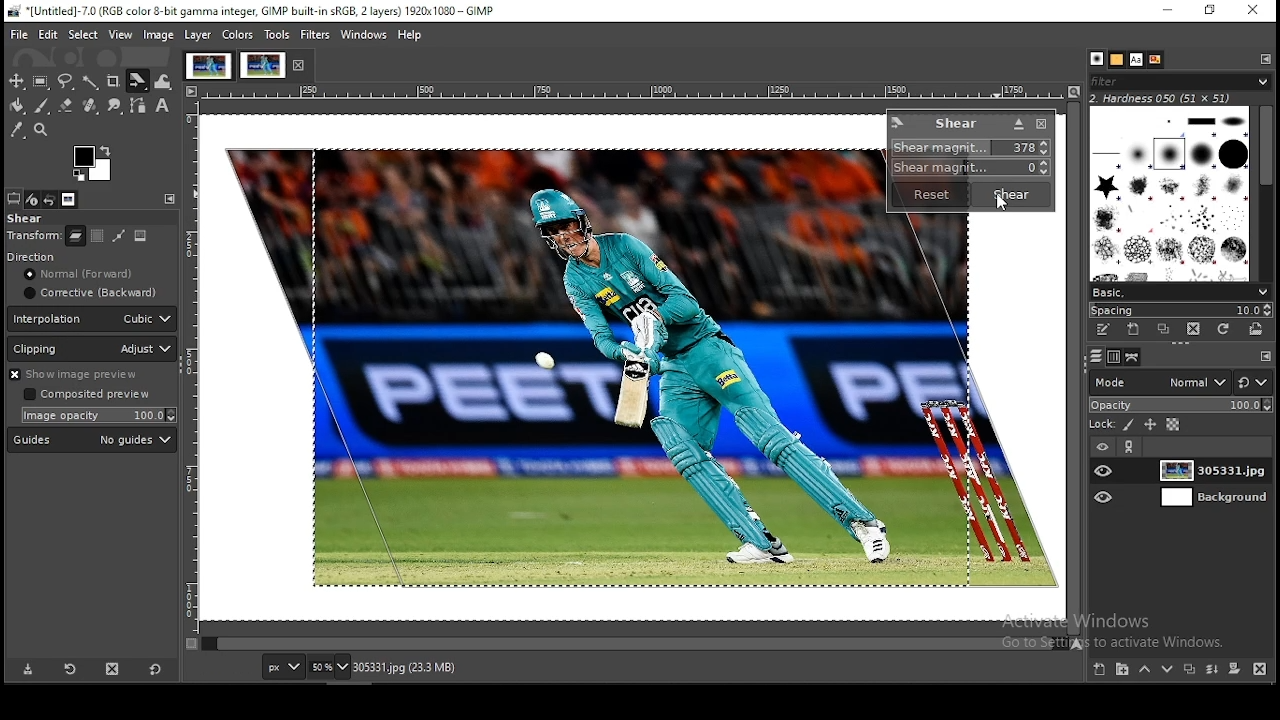  Describe the element at coordinates (406, 668) in the screenshot. I see `305331.jpg (23.3 mb)` at that location.